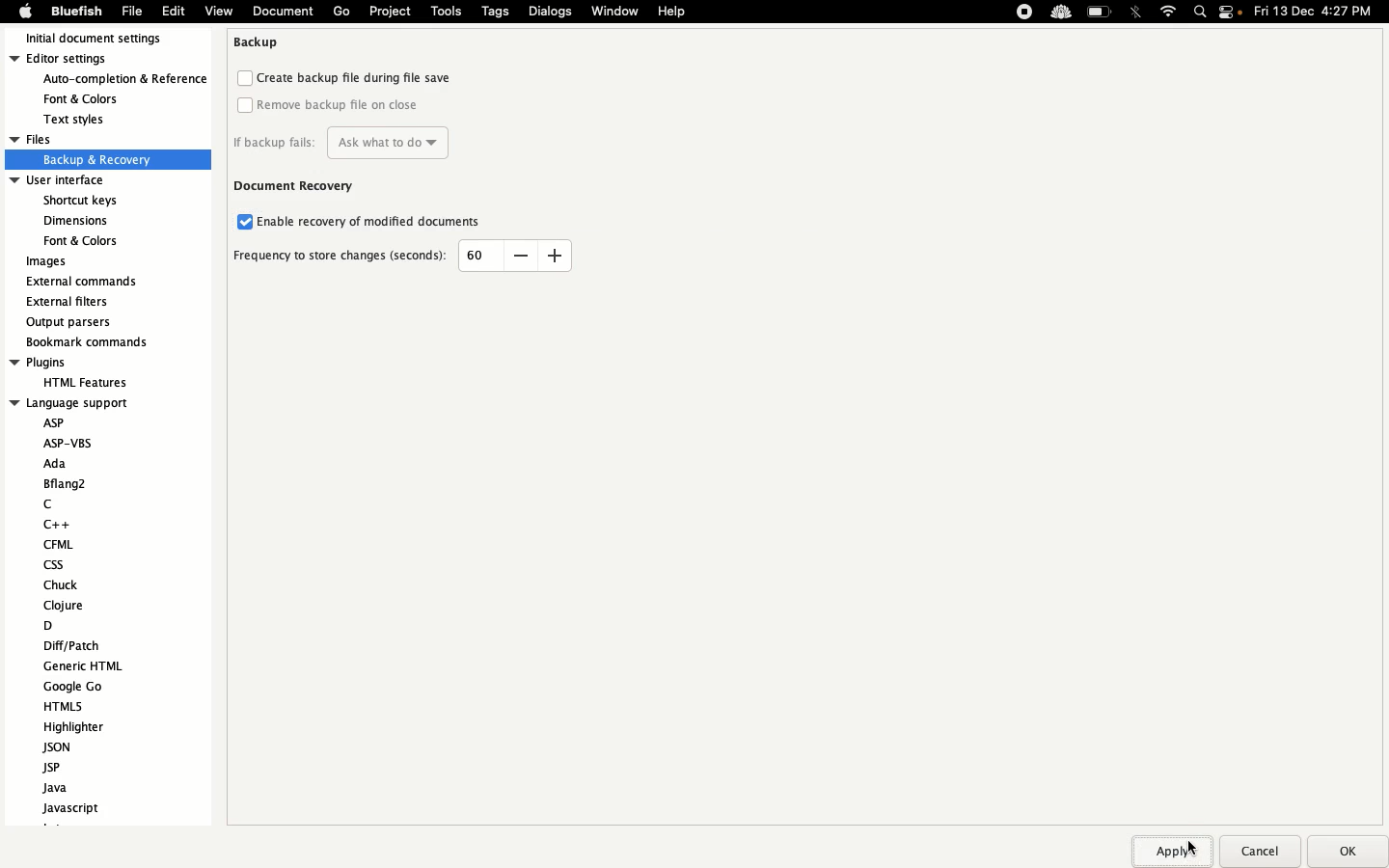 The image size is (1389, 868). I want to click on Search, so click(1199, 13).